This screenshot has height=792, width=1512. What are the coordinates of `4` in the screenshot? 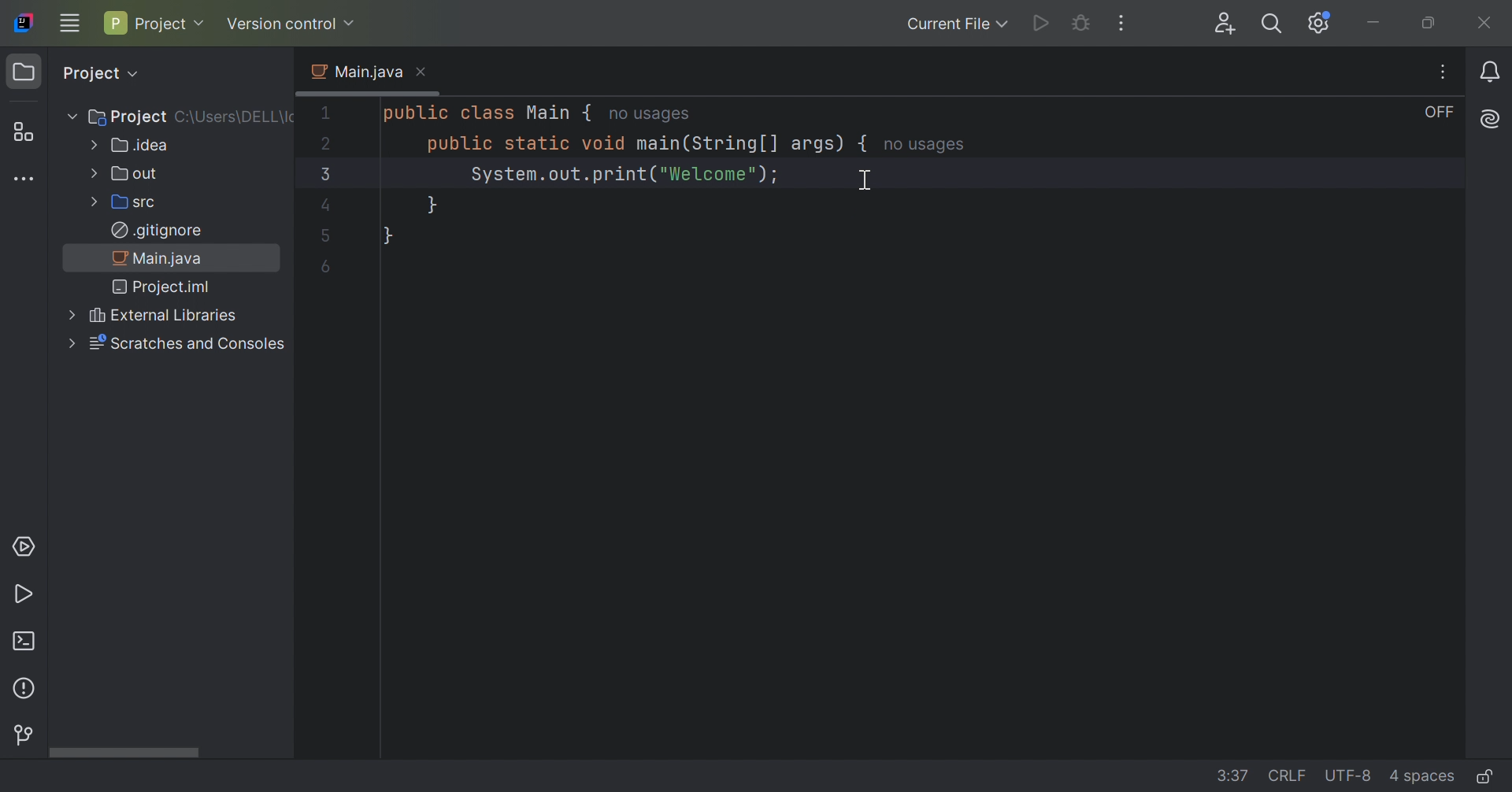 It's located at (324, 206).